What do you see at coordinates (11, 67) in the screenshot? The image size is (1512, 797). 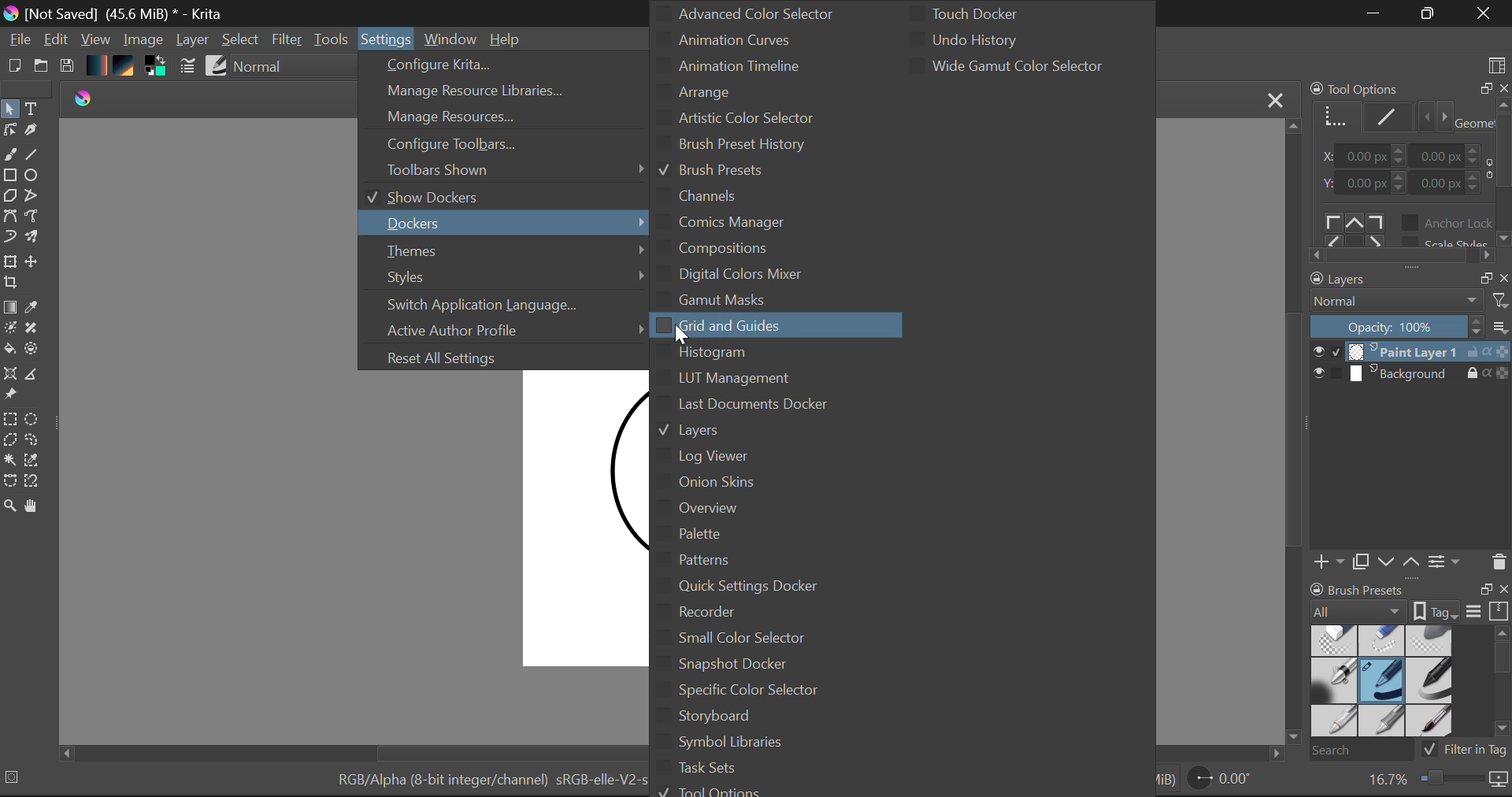 I see `New` at bounding box center [11, 67].